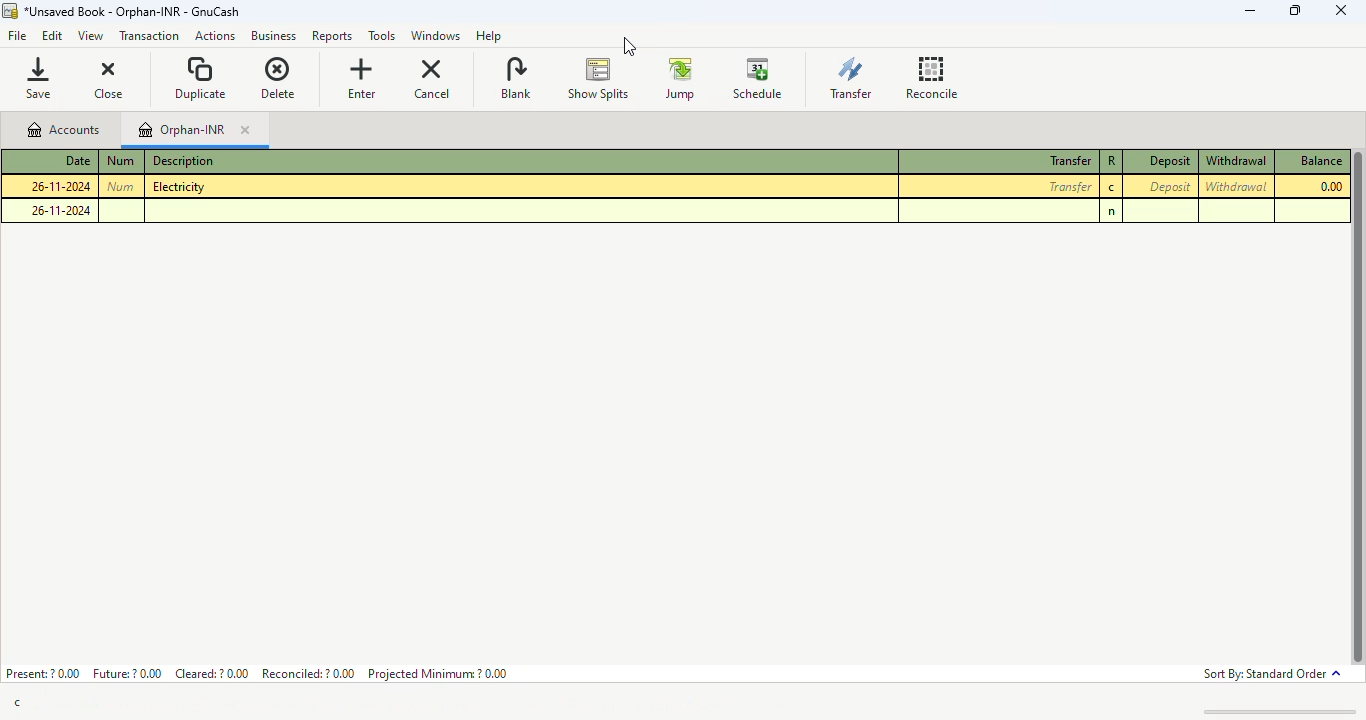  What do you see at coordinates (434, 37) in the screenshot?
I see `windows` at bounding box center [434, 37].